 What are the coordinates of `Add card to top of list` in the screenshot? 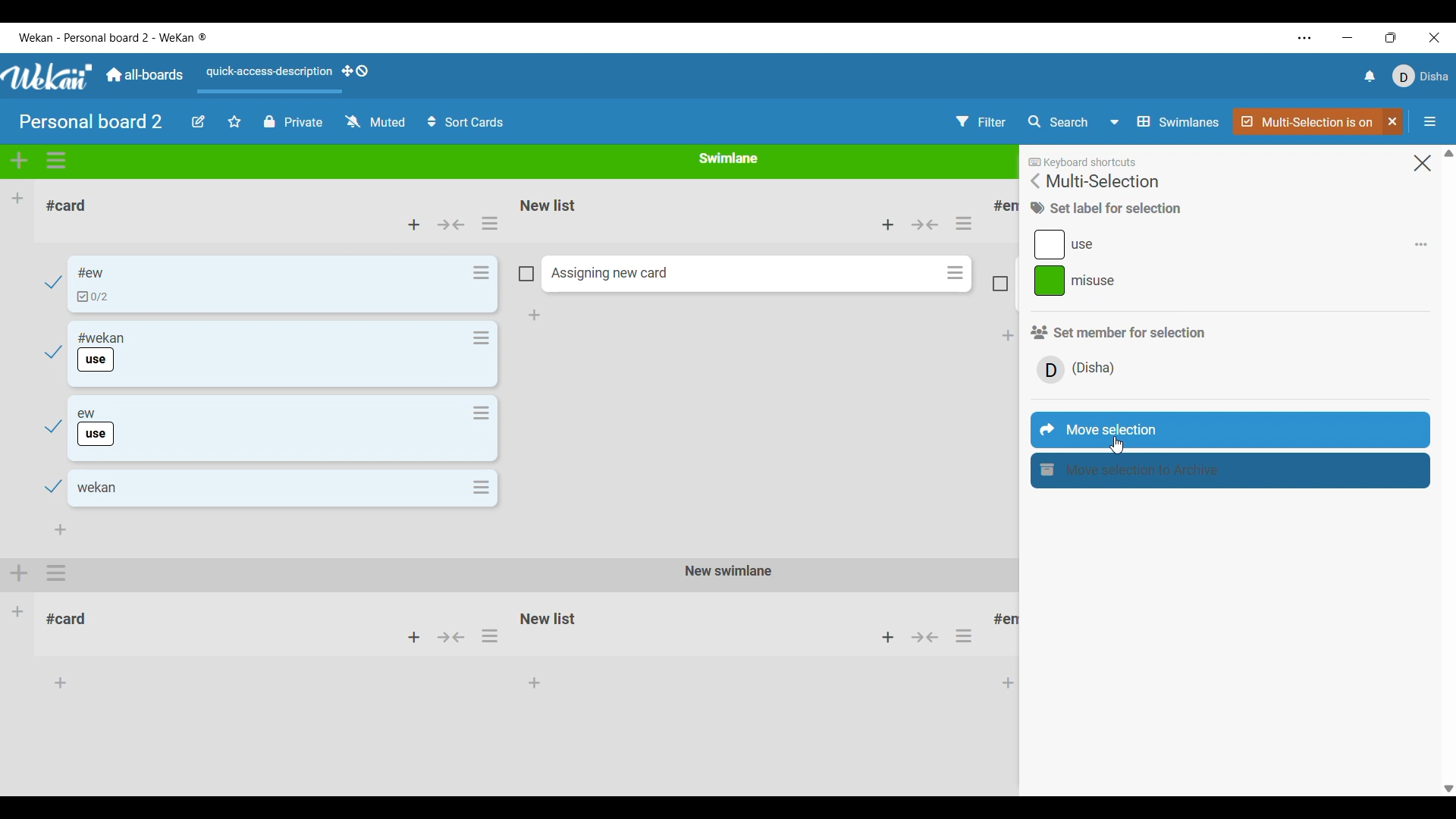 It's located at (414, 224).